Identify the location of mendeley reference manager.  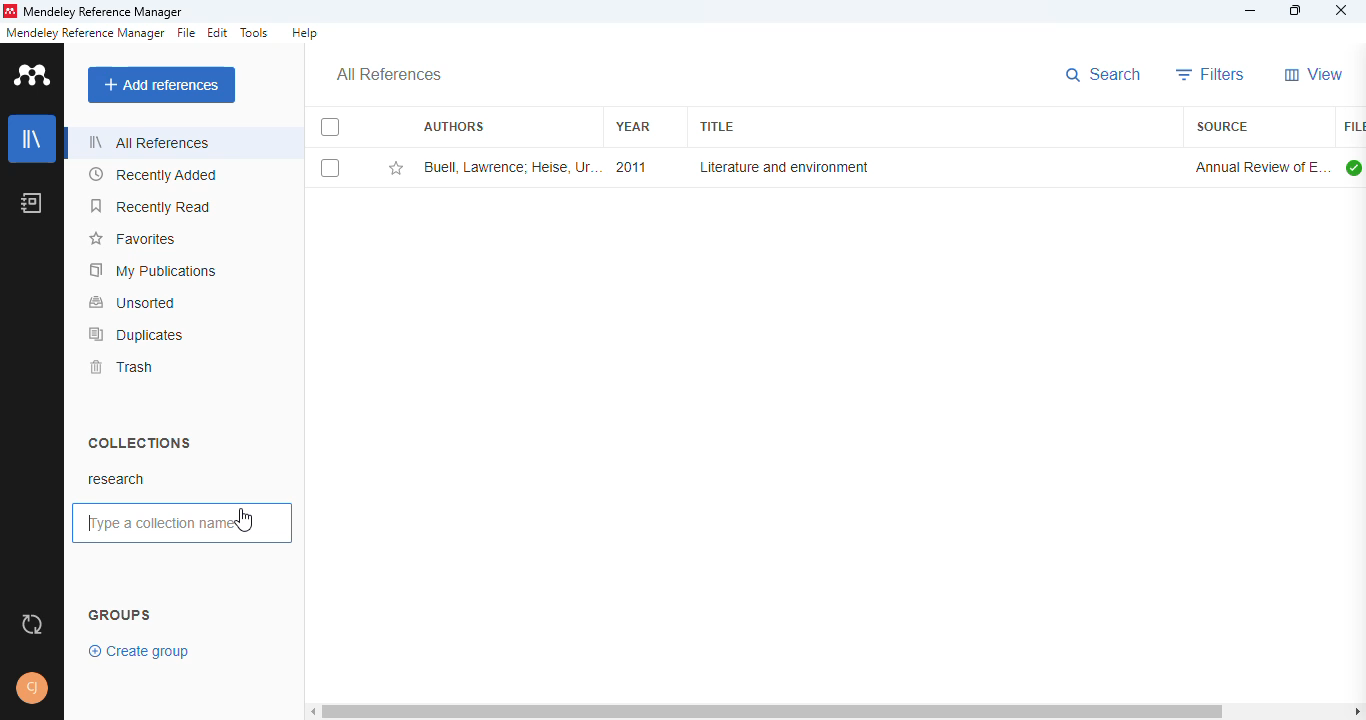
(85, 33).